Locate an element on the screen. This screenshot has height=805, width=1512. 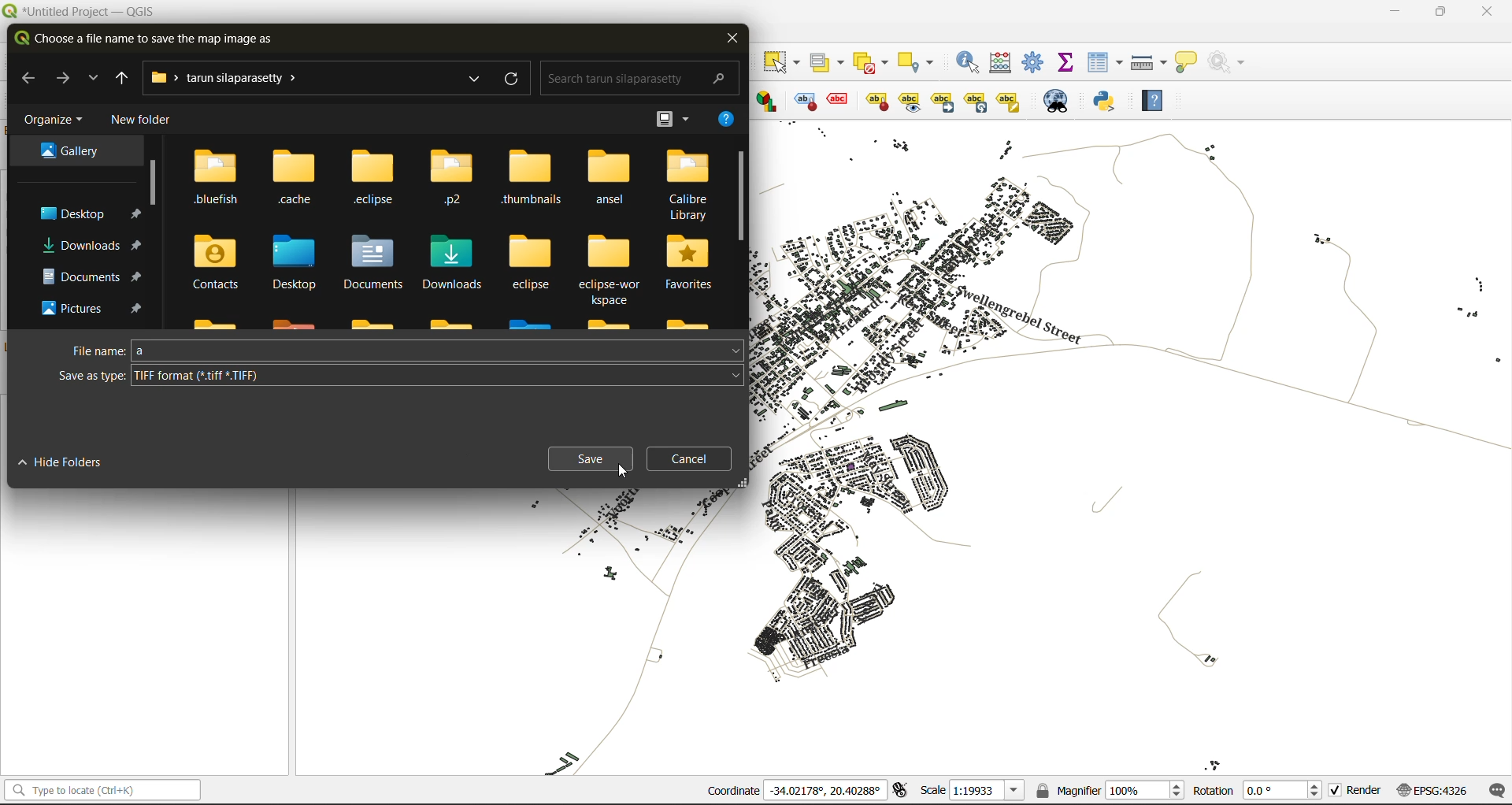
close is located at coordinates (1487, 11).